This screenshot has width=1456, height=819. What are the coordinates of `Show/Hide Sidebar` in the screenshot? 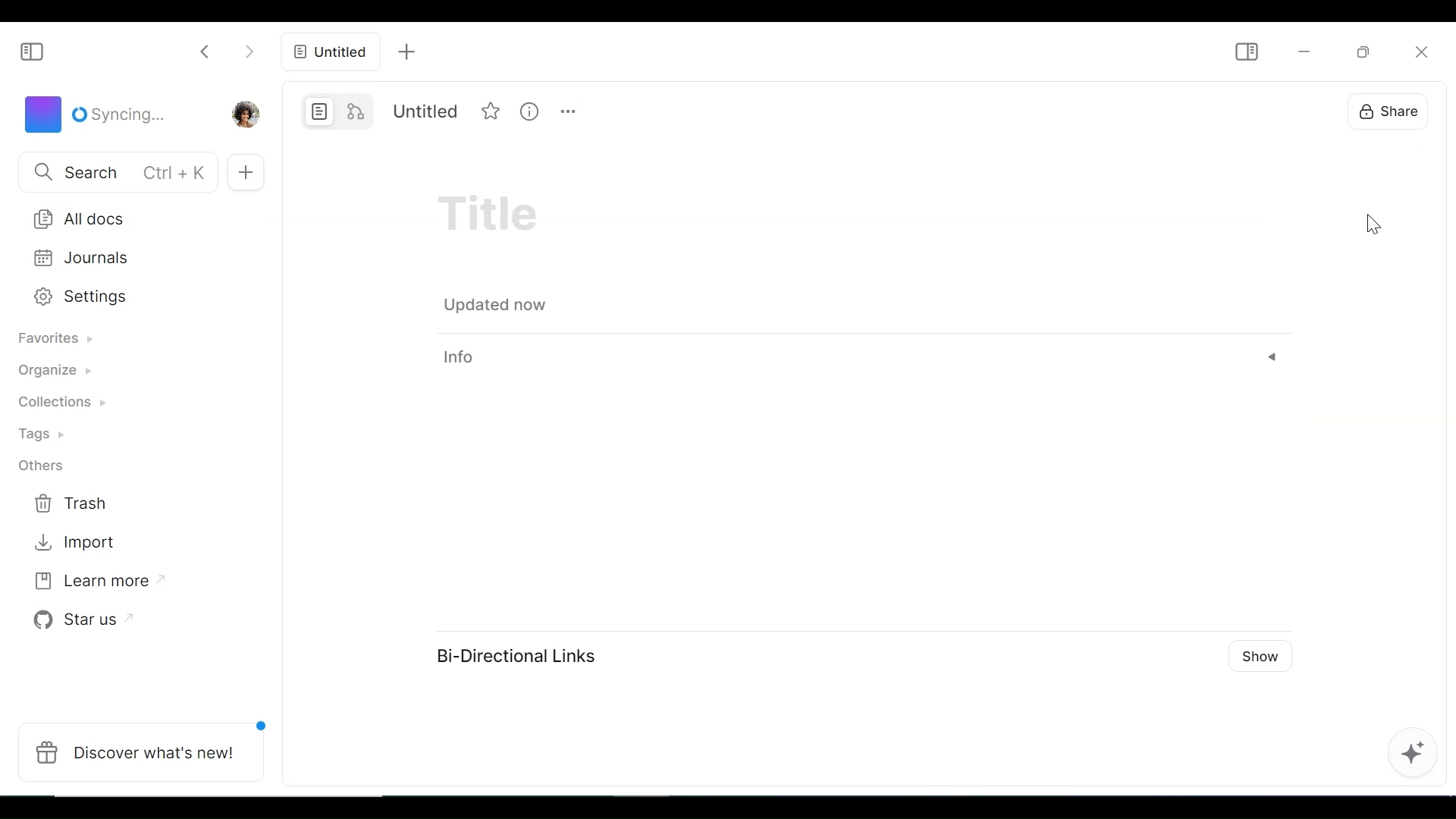 It's located at (33, 50).